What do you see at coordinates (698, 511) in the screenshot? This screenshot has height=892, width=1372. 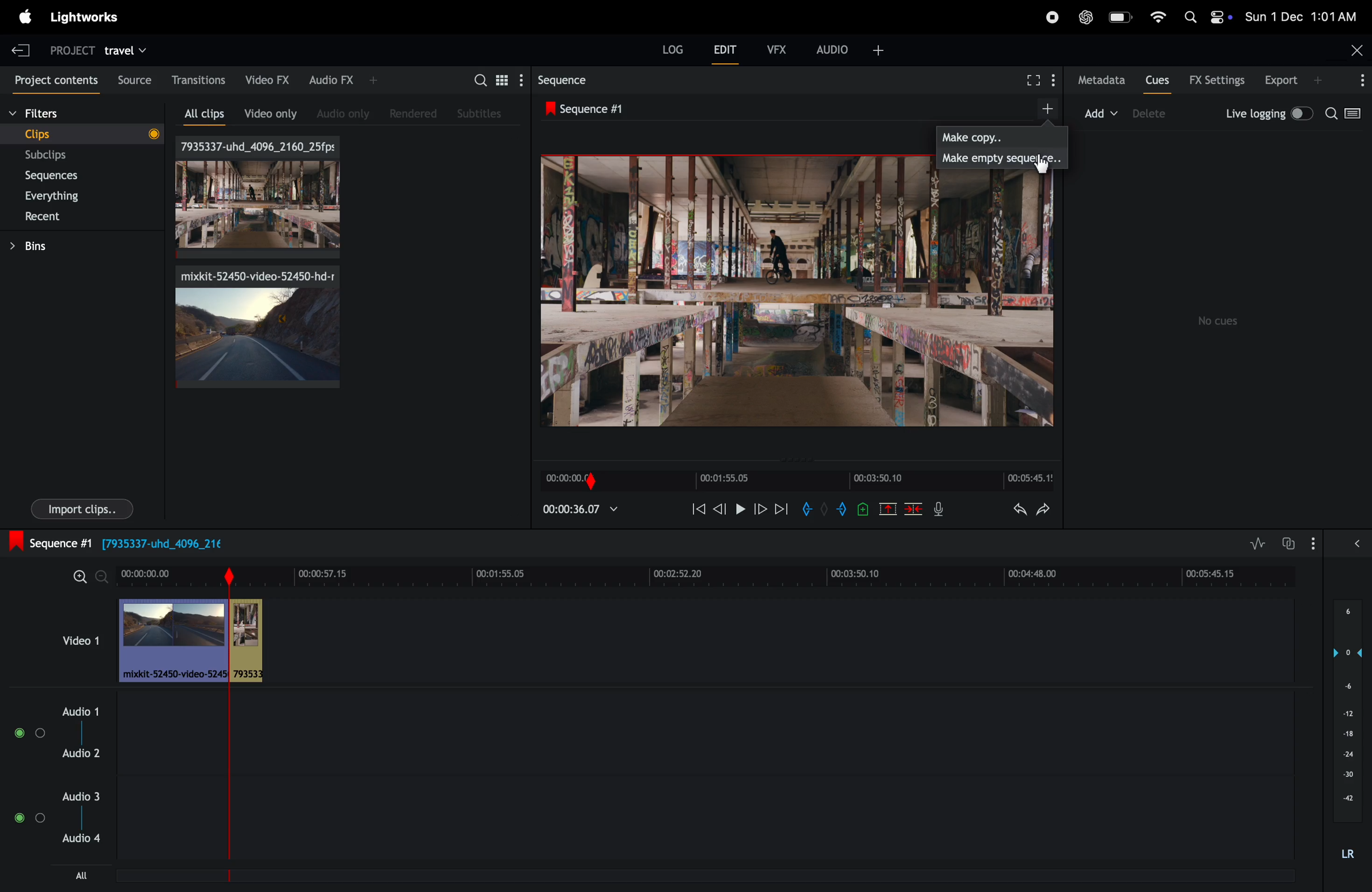 I see `rewind` at bounding box center [698, 511].